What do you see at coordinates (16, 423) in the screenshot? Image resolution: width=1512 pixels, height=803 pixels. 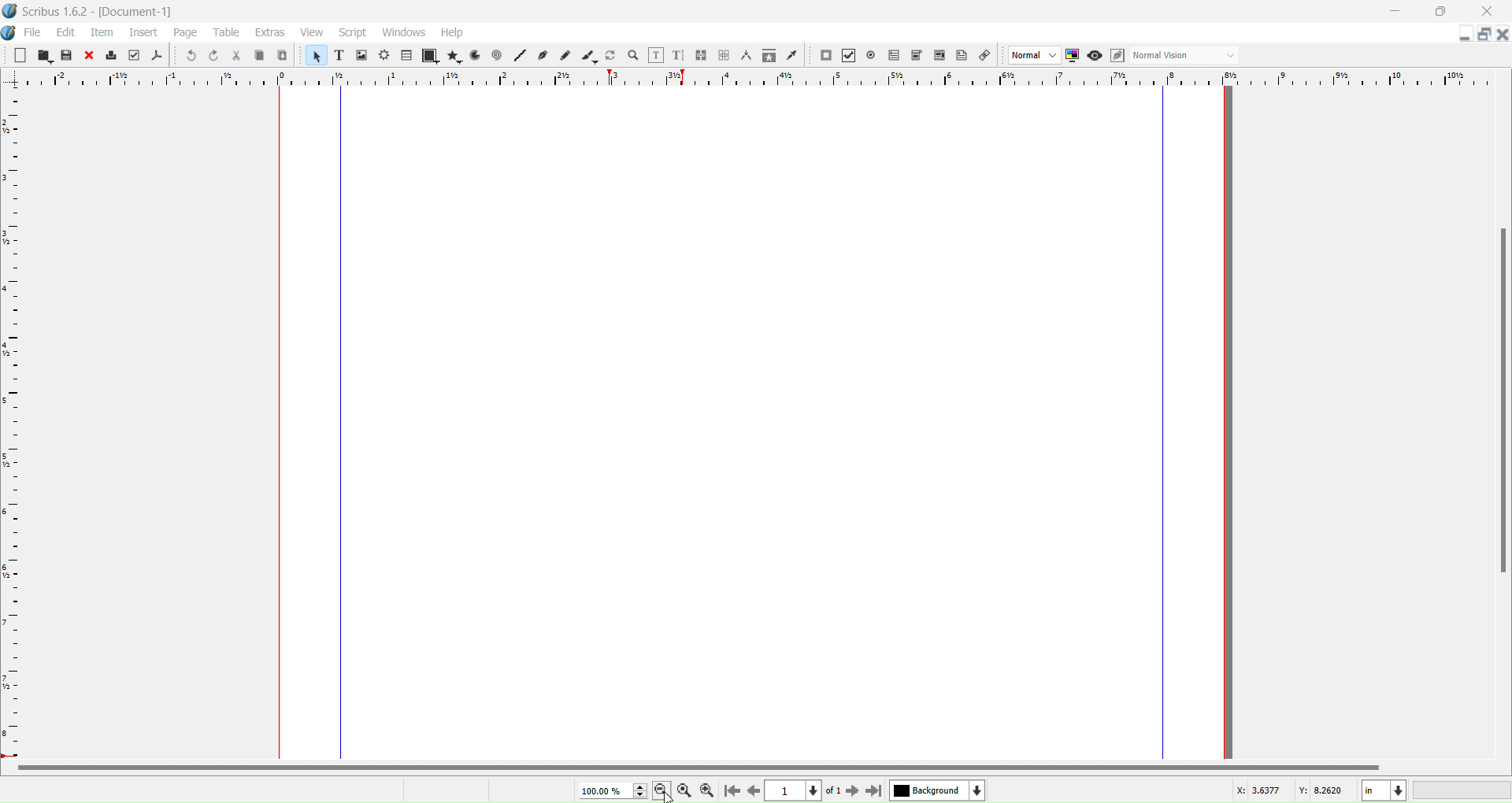 I see `Vertical Ruler` at bounding box center [16, 423].